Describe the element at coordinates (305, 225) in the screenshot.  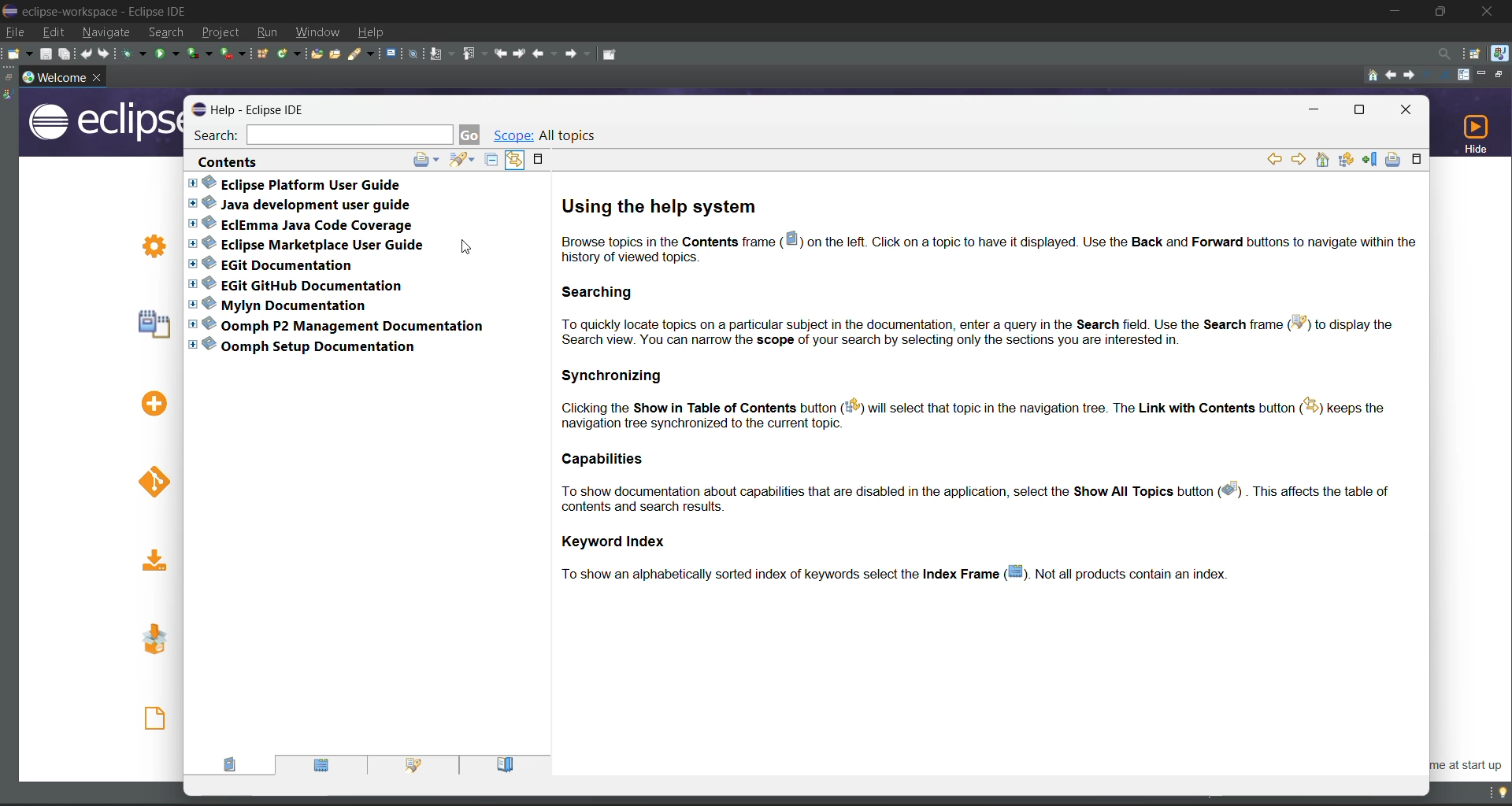
I see `eclemma java code coverage` at that location.